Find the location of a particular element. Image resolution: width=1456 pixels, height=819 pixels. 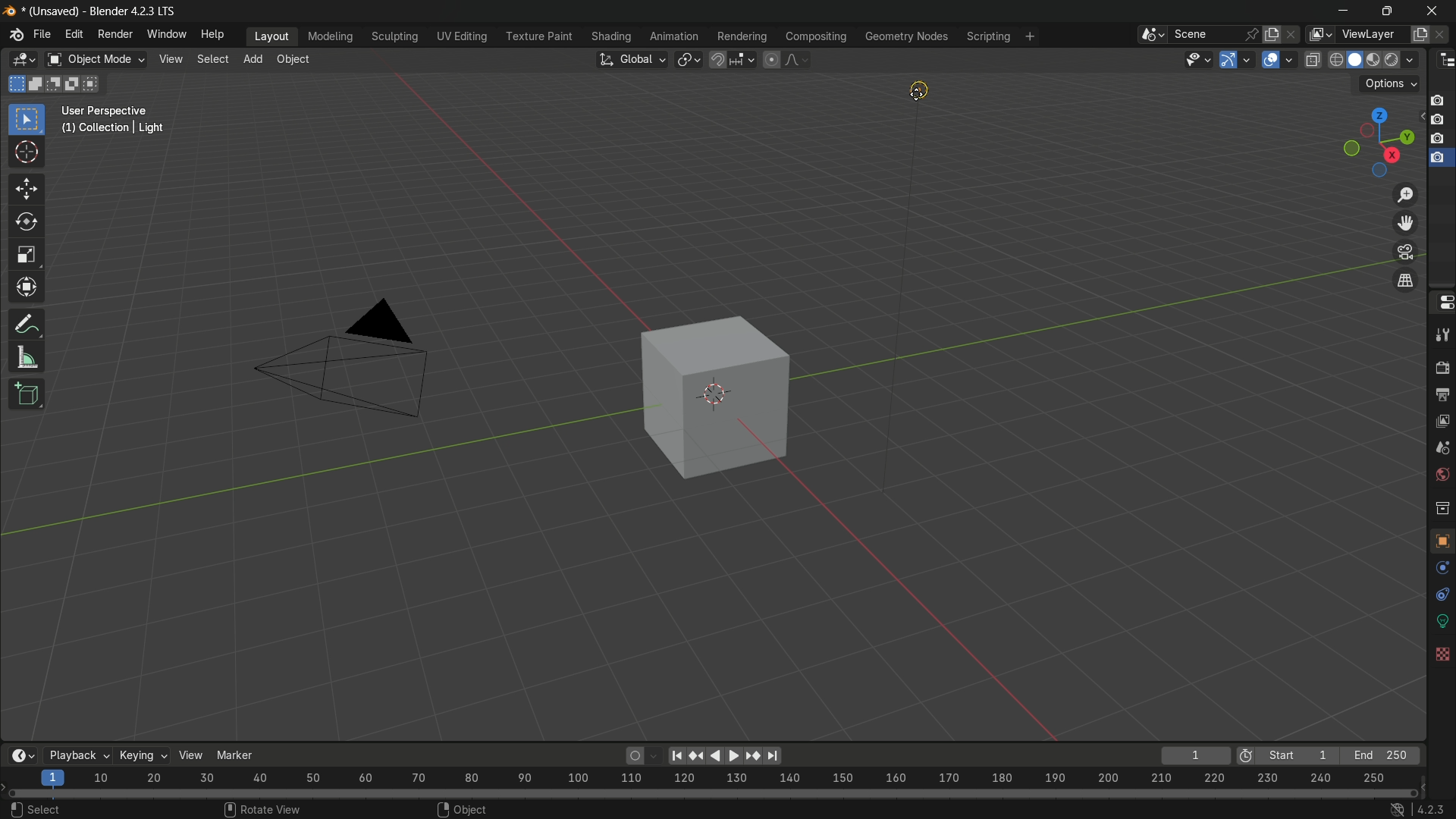

particles is located at coordinates (1441, 597).